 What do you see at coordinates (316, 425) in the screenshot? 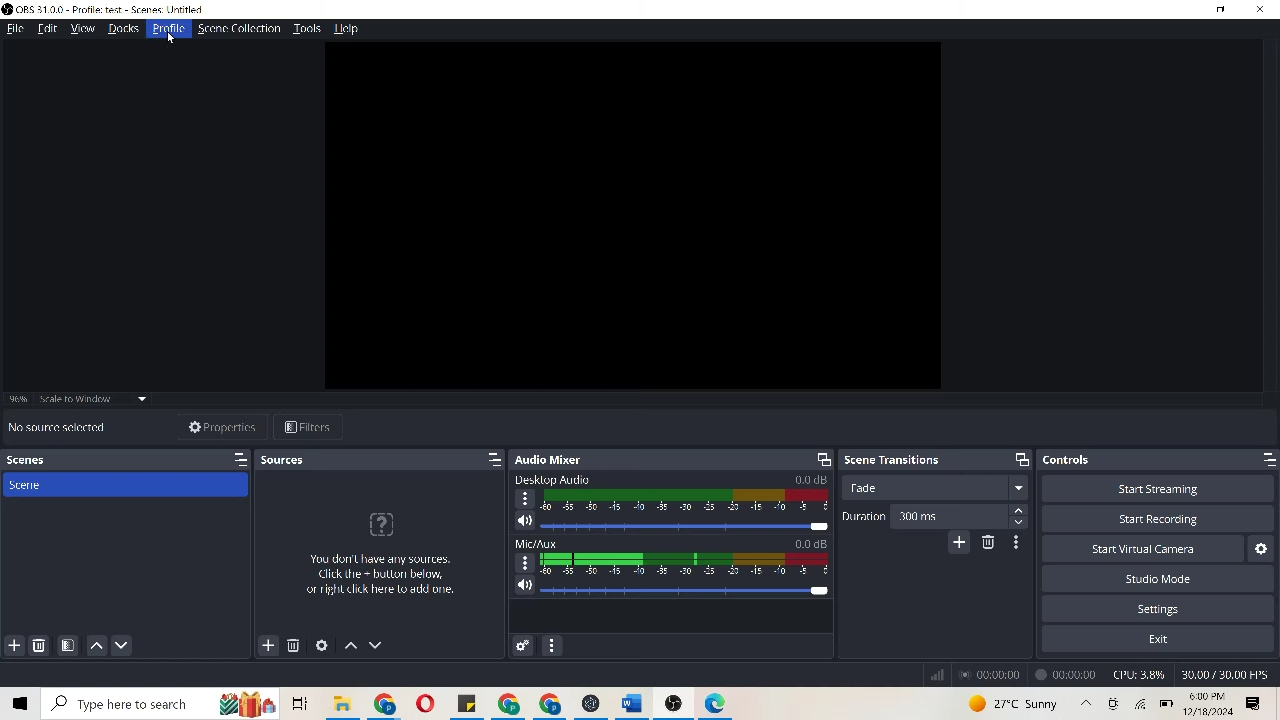
I see `filters` at bounding box center [316, 425].